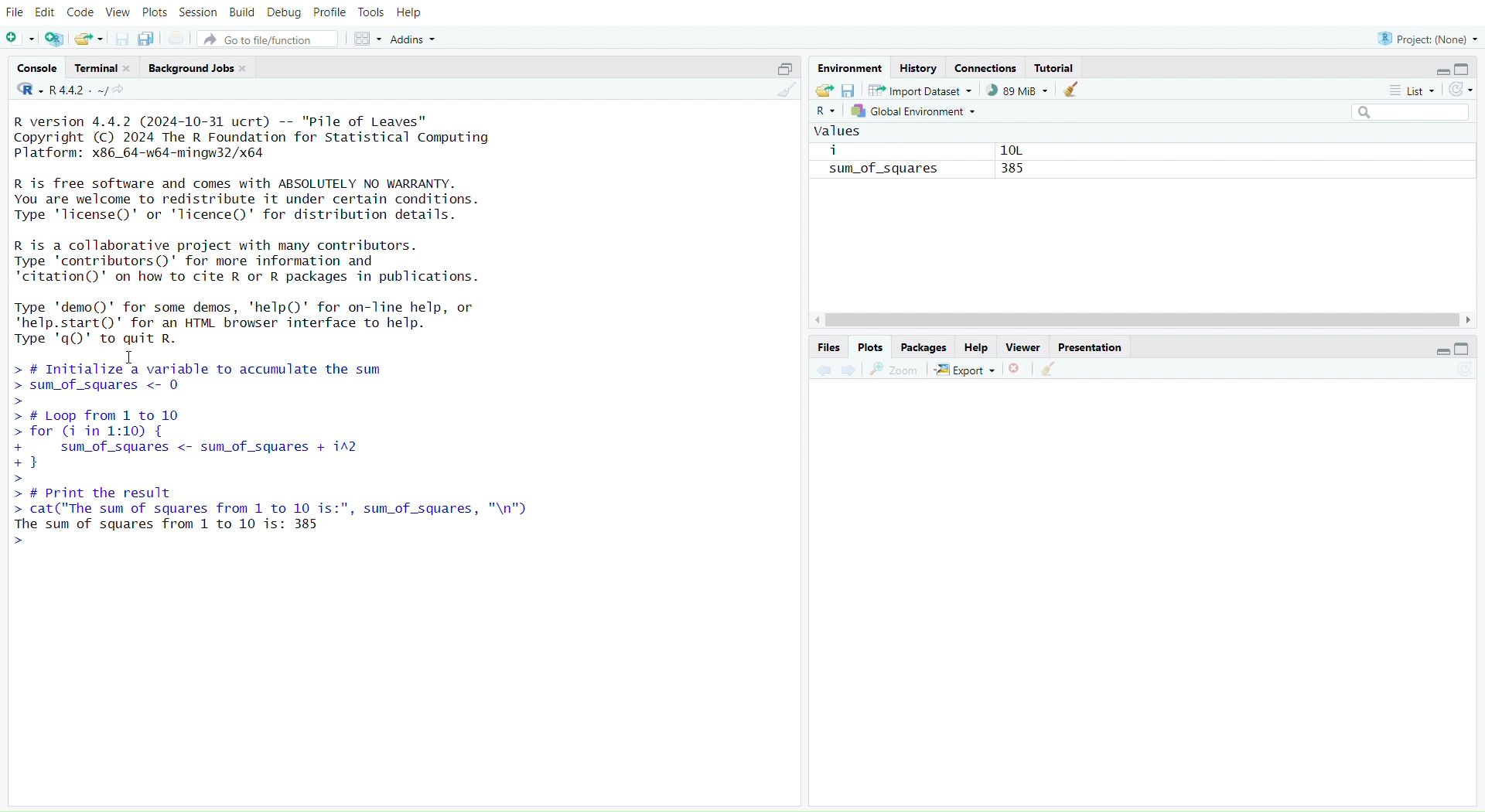  Describe the element at coordinates (917, 113) in the screenshot. I see `global environment` at that location.